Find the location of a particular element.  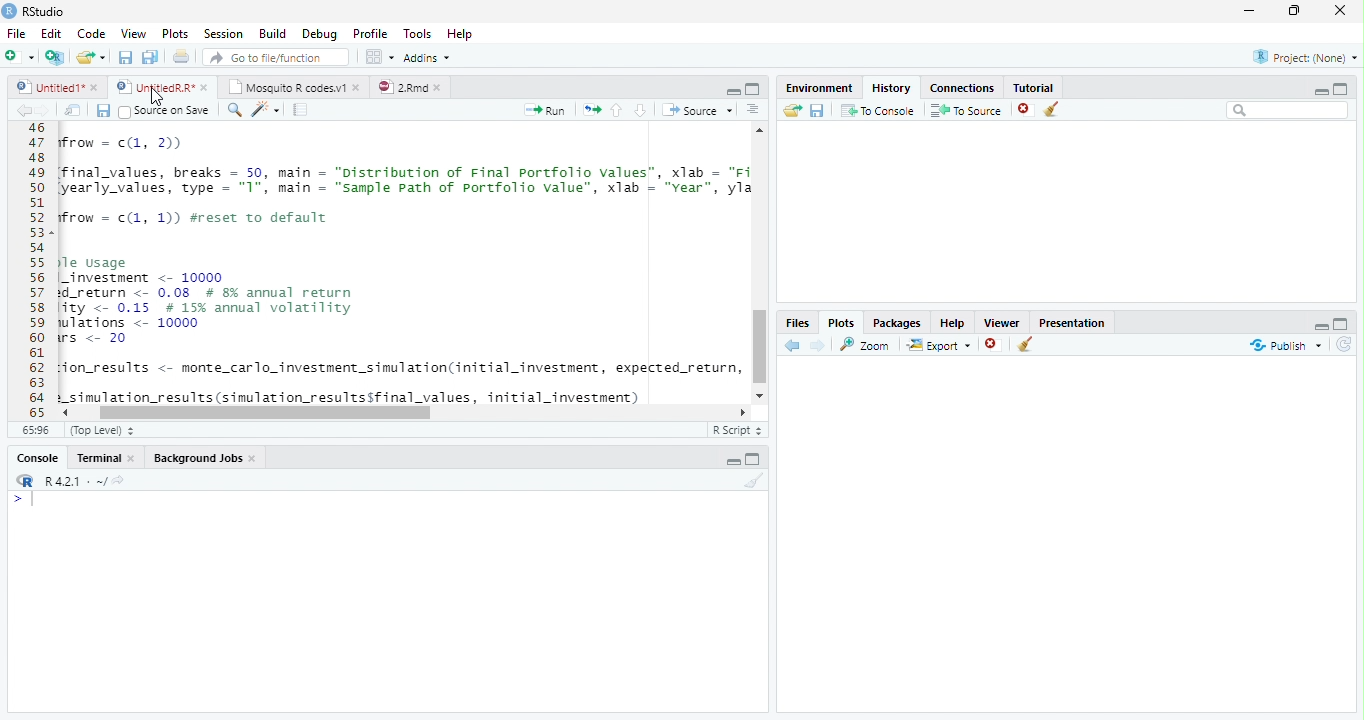

Print is located at coordinates (181, 56).